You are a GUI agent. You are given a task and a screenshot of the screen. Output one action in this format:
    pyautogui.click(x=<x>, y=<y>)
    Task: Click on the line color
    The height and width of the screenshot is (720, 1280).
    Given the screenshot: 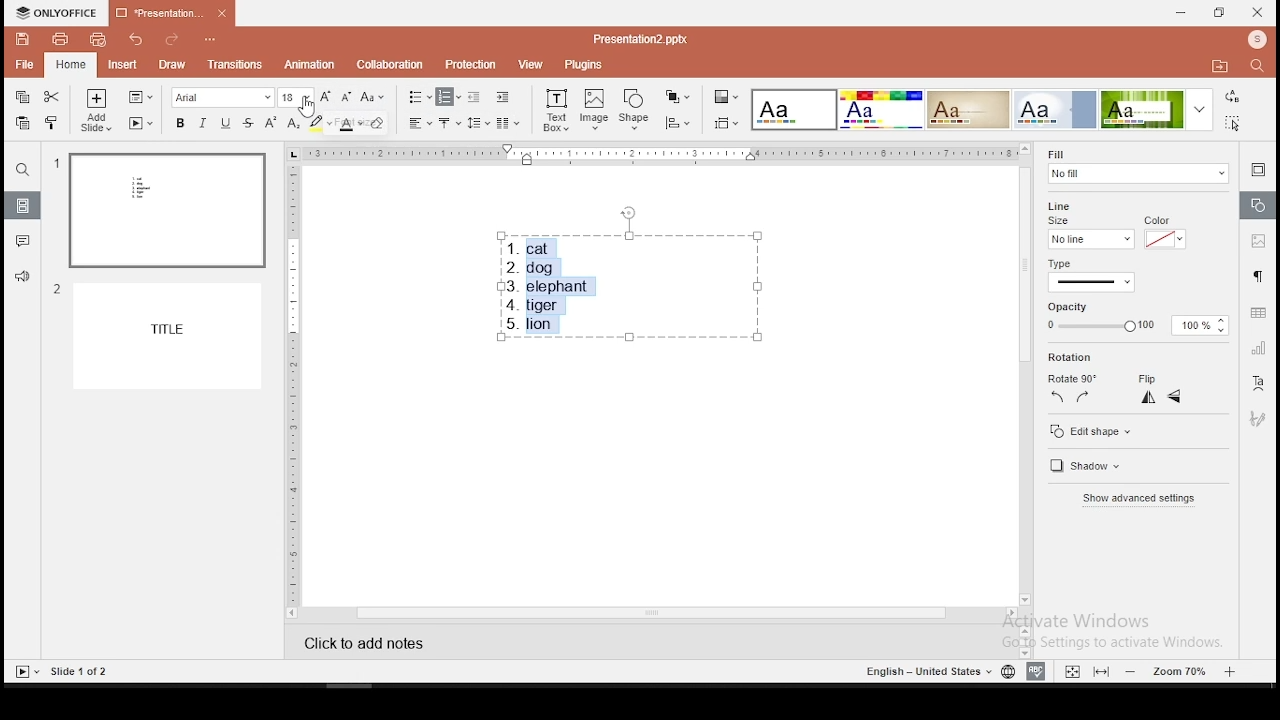 What is the action you would take?
    pyautogui.click(x=1163, y=233)
    